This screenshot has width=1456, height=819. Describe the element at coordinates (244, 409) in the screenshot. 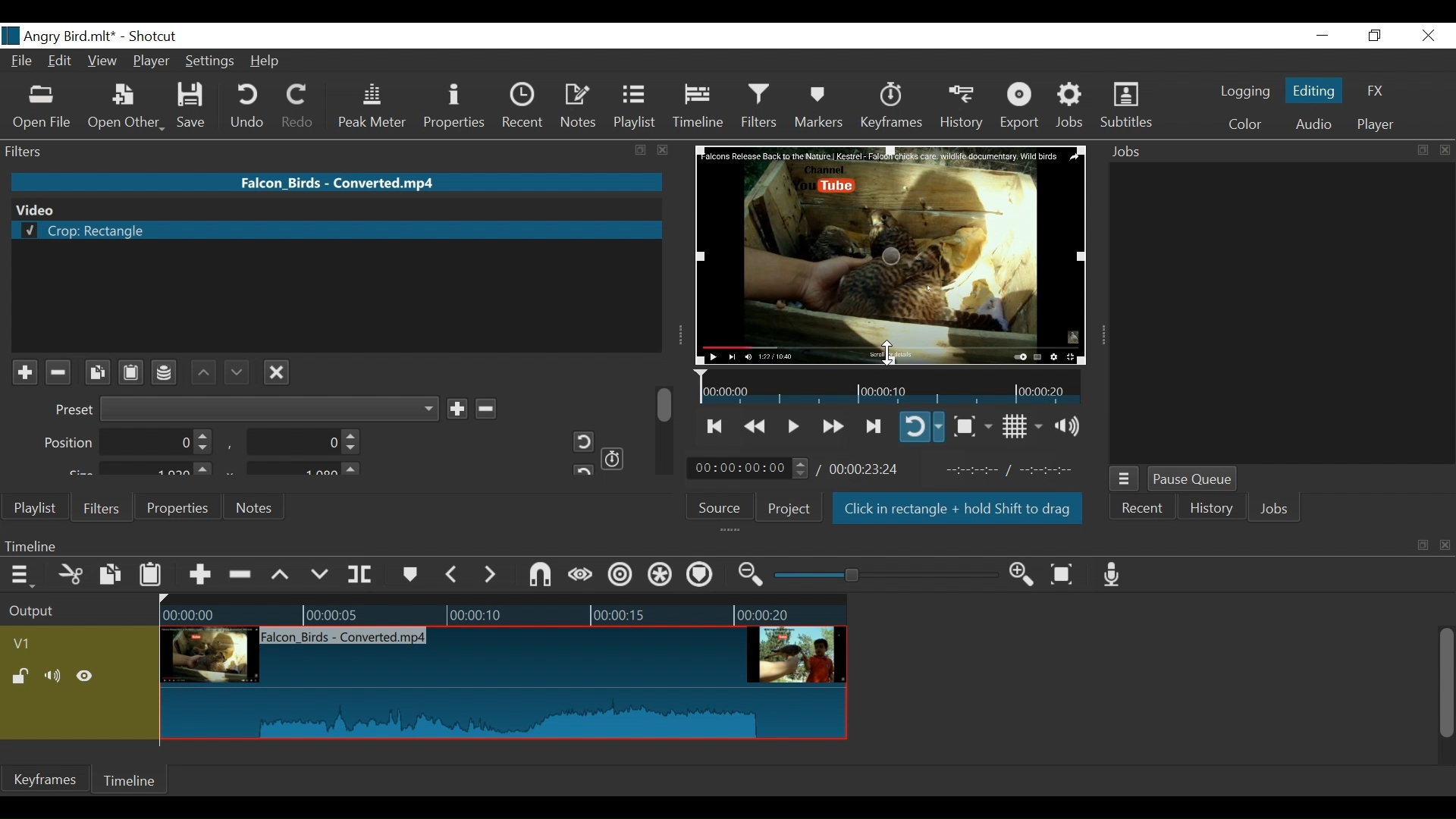

I see `Present` at that location.